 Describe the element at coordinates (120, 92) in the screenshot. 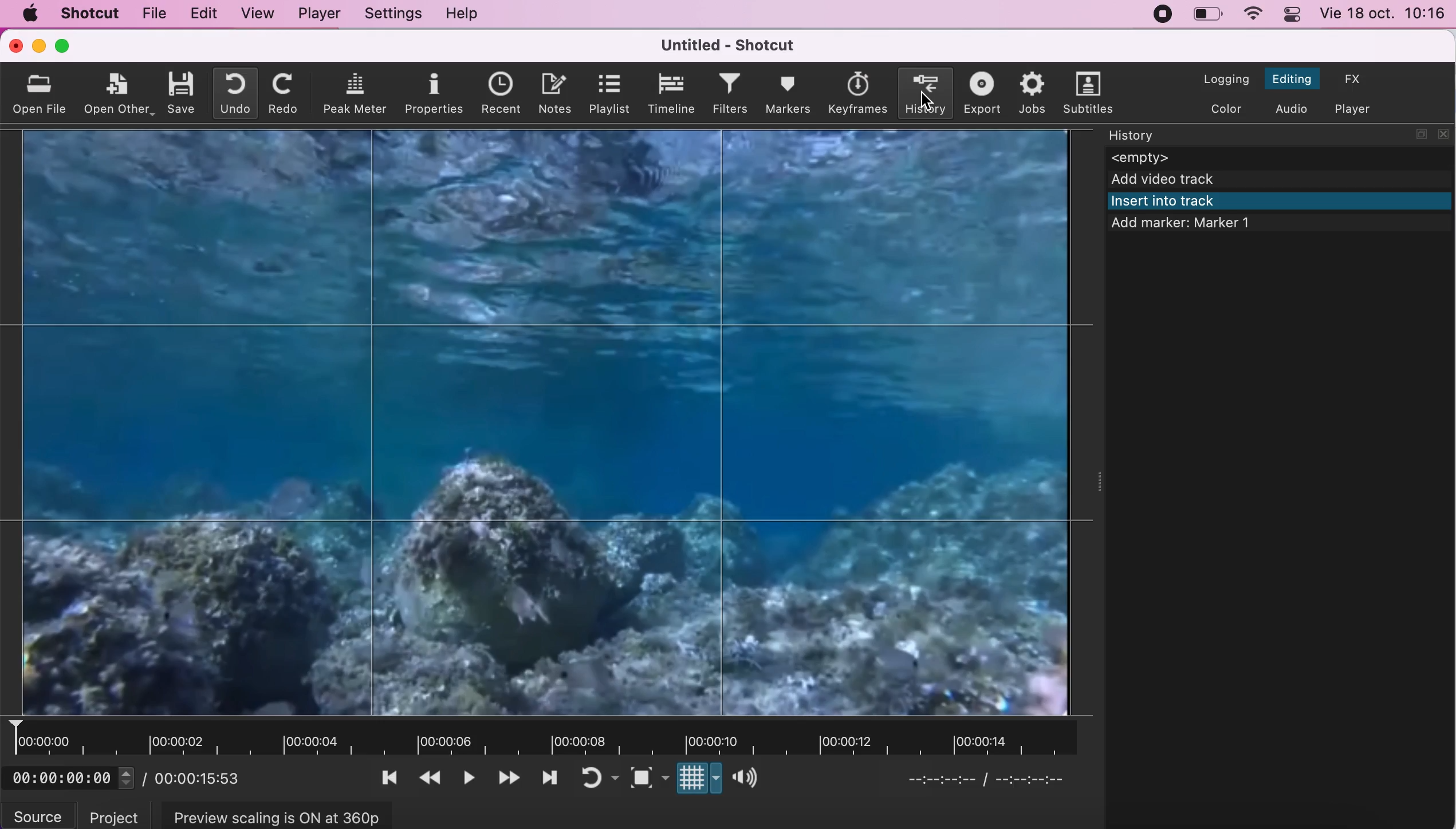

I see `open other` at that location.